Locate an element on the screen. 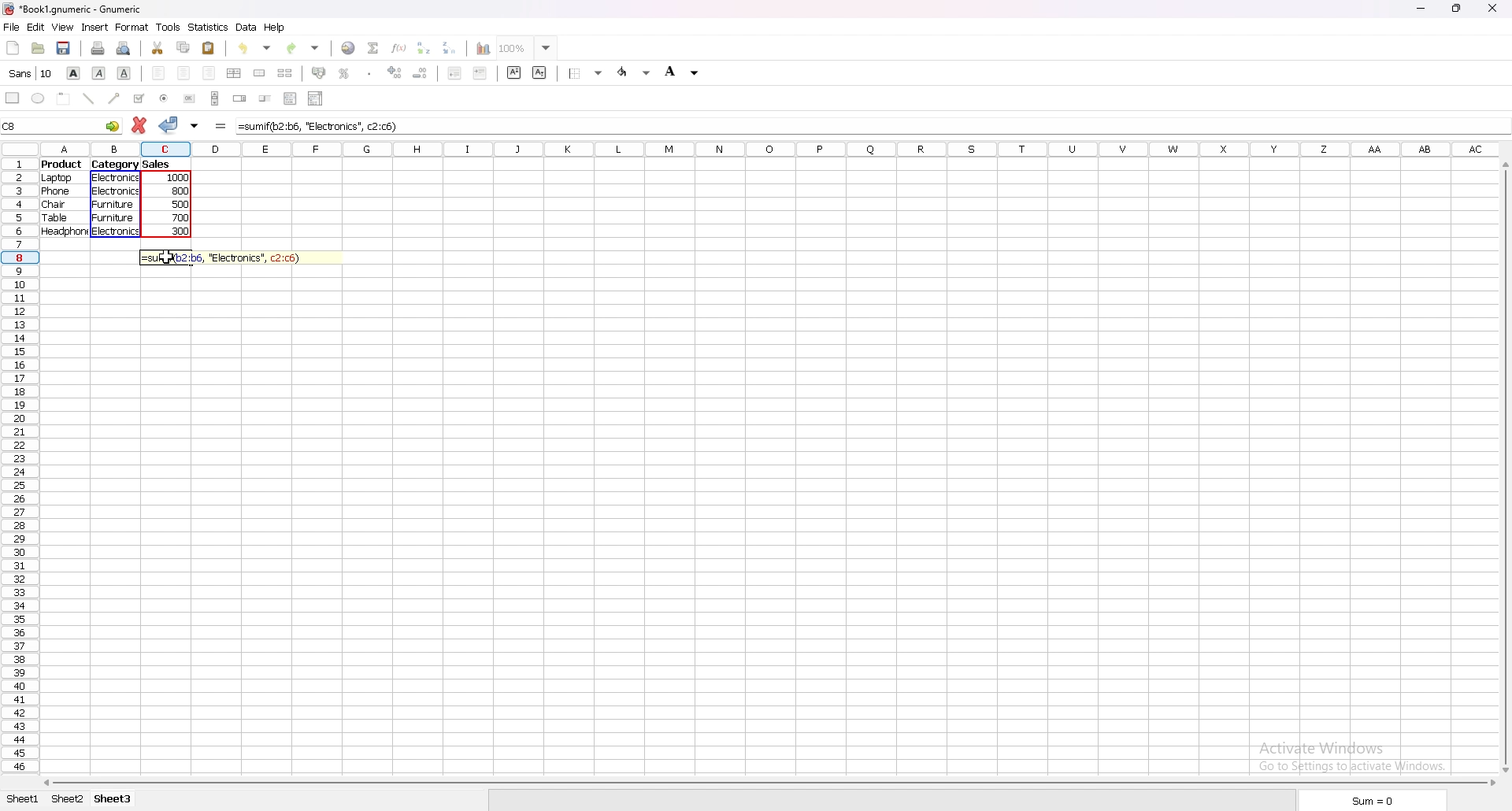 This screenshot has width=1512, height=811. merge cell is located at coordinates (260, 73).